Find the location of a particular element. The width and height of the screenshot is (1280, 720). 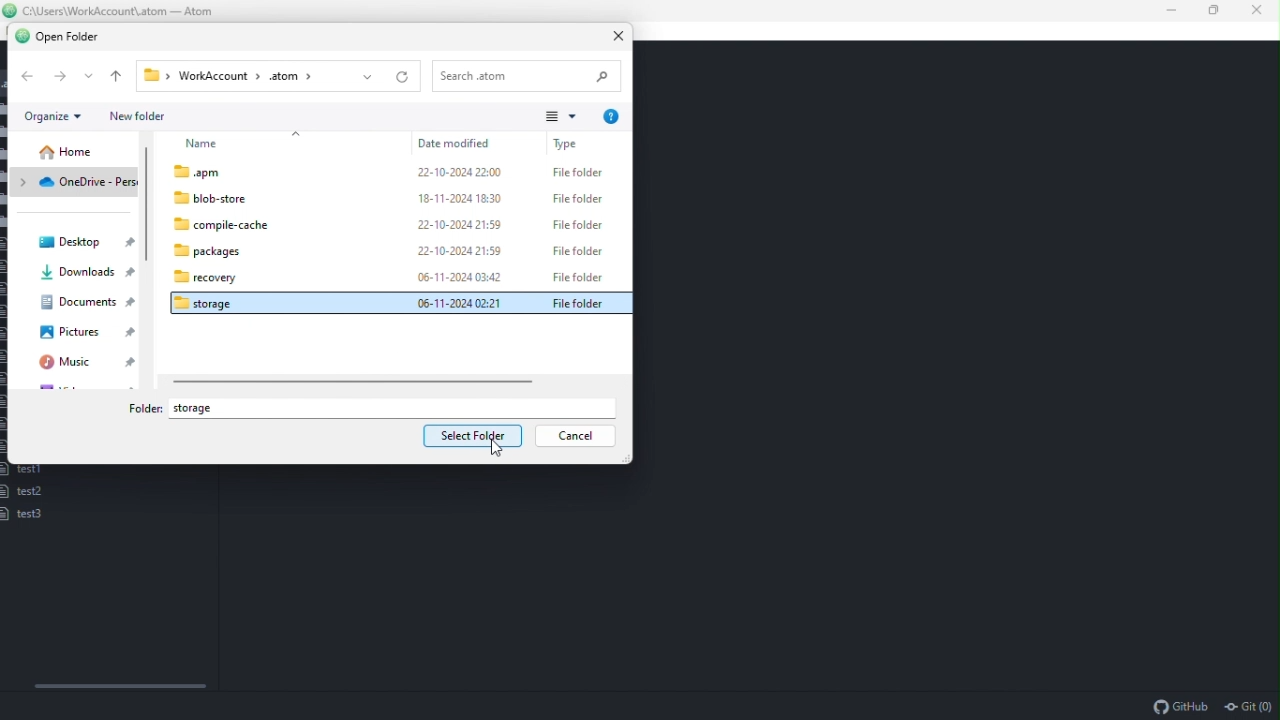

Minimise is located at coordinates (1177, 9).